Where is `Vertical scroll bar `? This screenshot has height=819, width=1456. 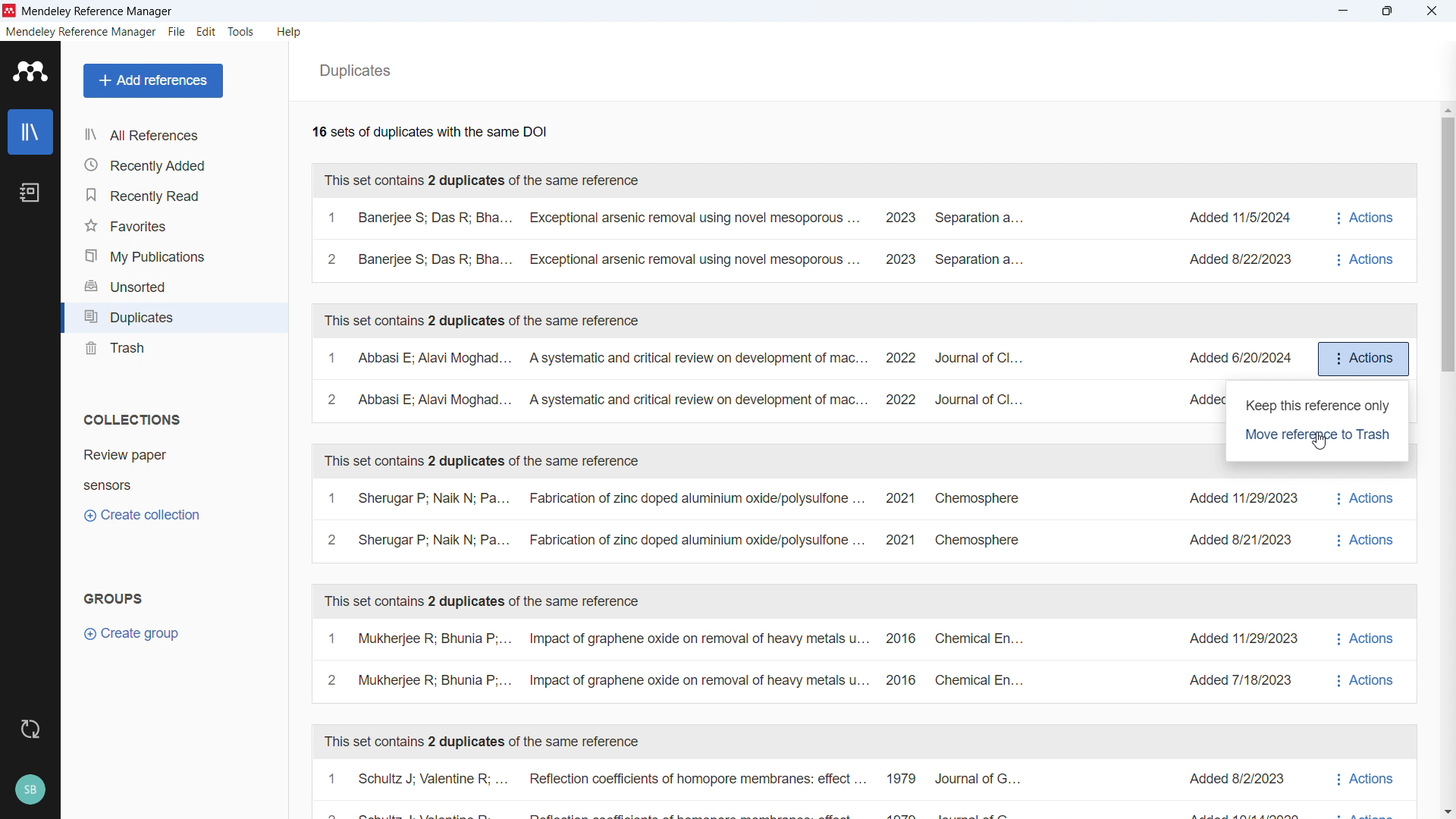 Vertical scroll bar  is located at coordinates (1450, 246).